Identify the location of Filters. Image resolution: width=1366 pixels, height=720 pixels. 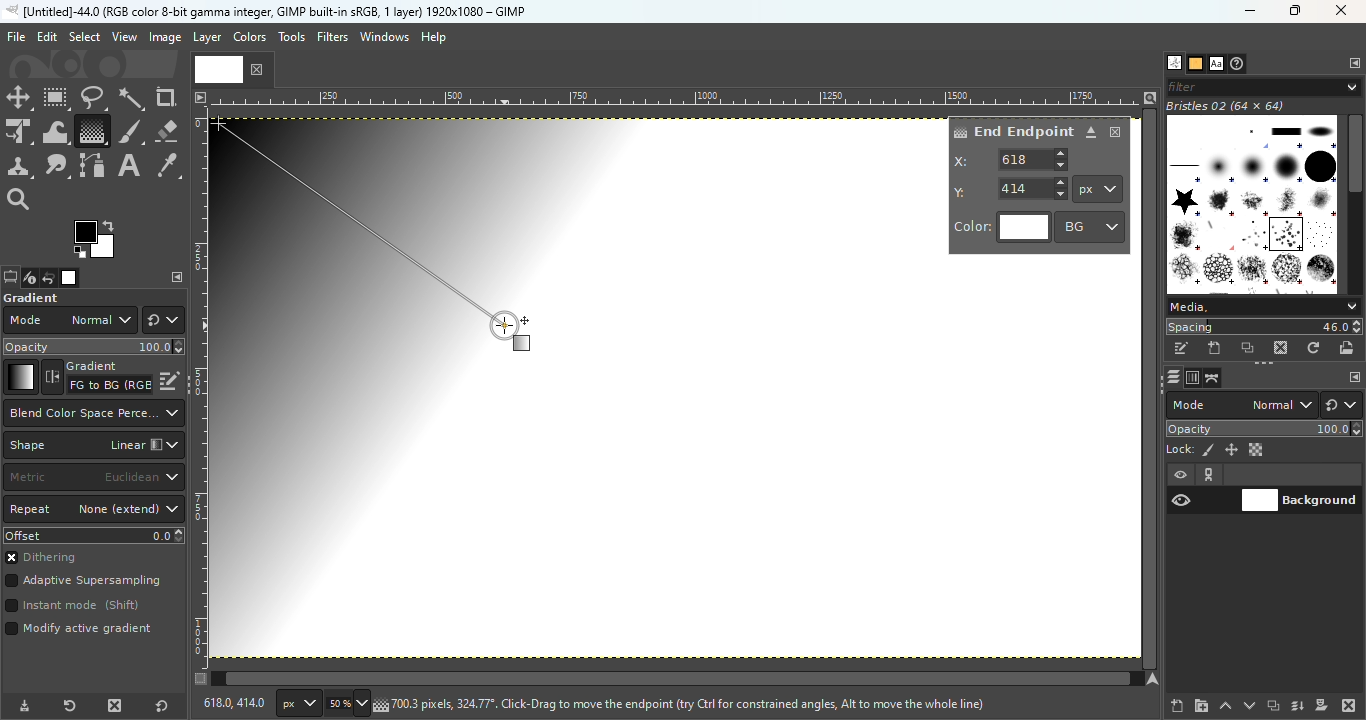
(333, 37).